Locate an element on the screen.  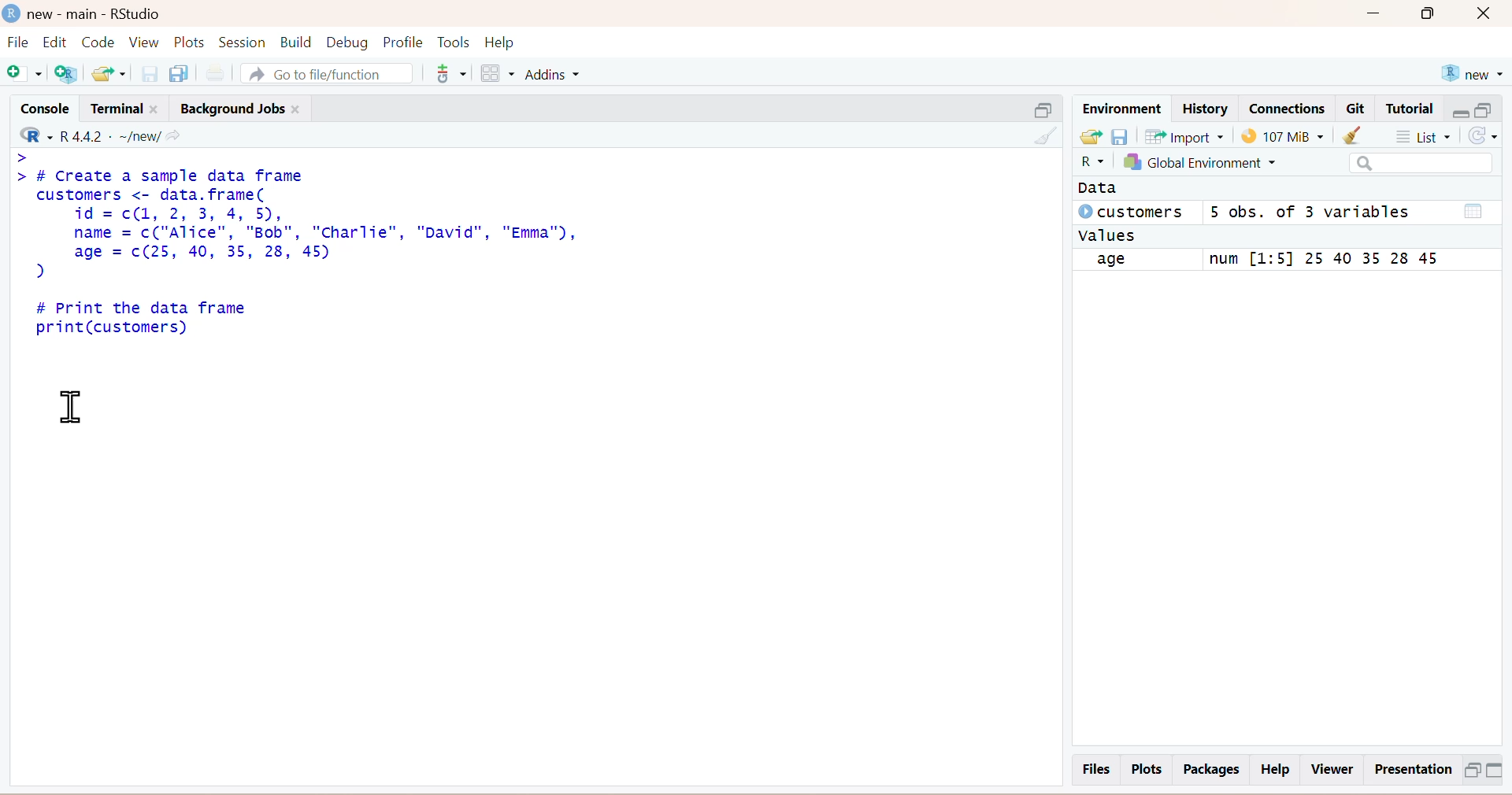
Data is located at coordinates (1099, 189).